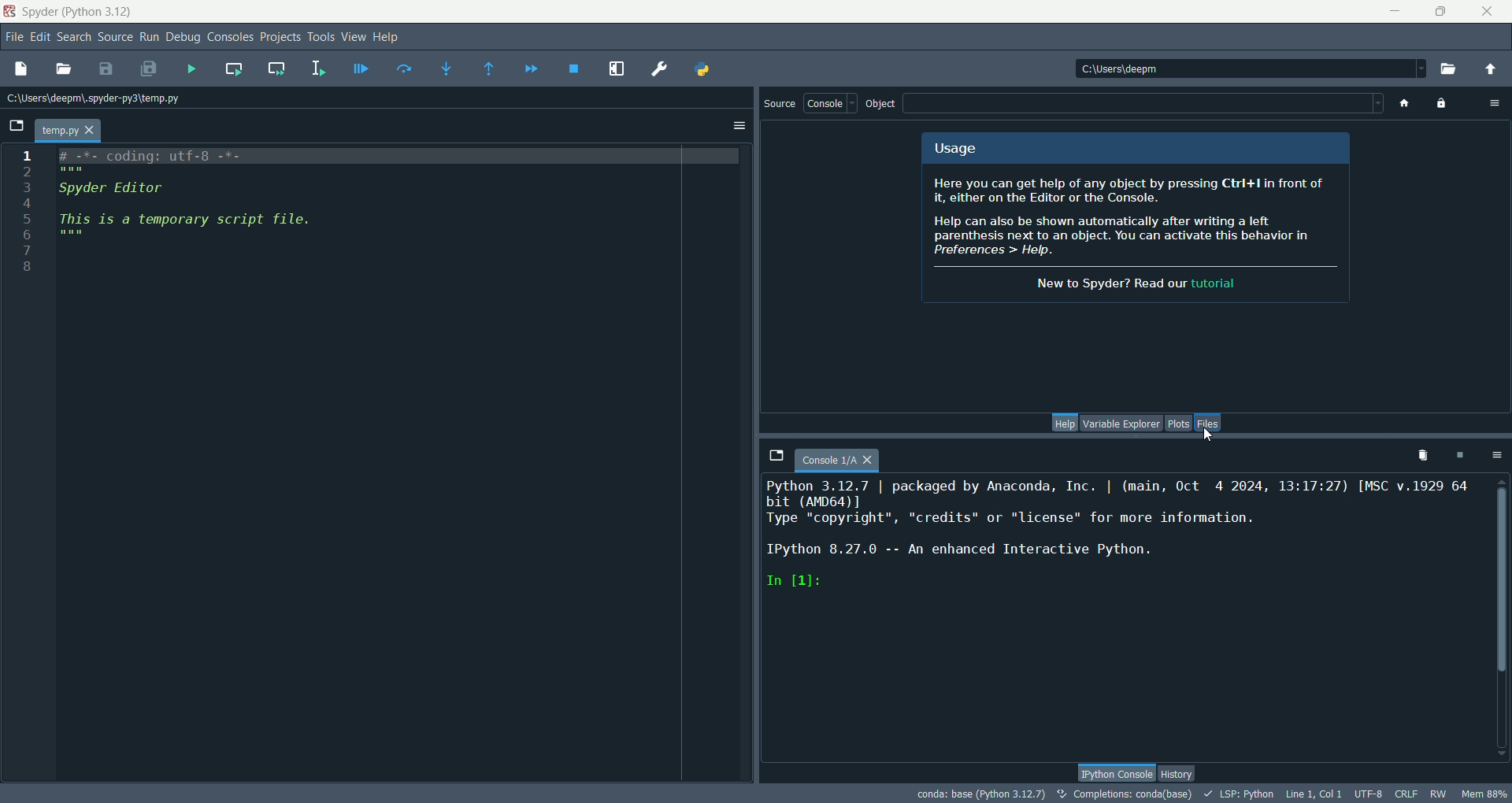 Image resolution: width=1512 pixels, height=803 pixels. Describe the element at coordinates (1440, 10) in the screenshot. I see `maximize` at that location.